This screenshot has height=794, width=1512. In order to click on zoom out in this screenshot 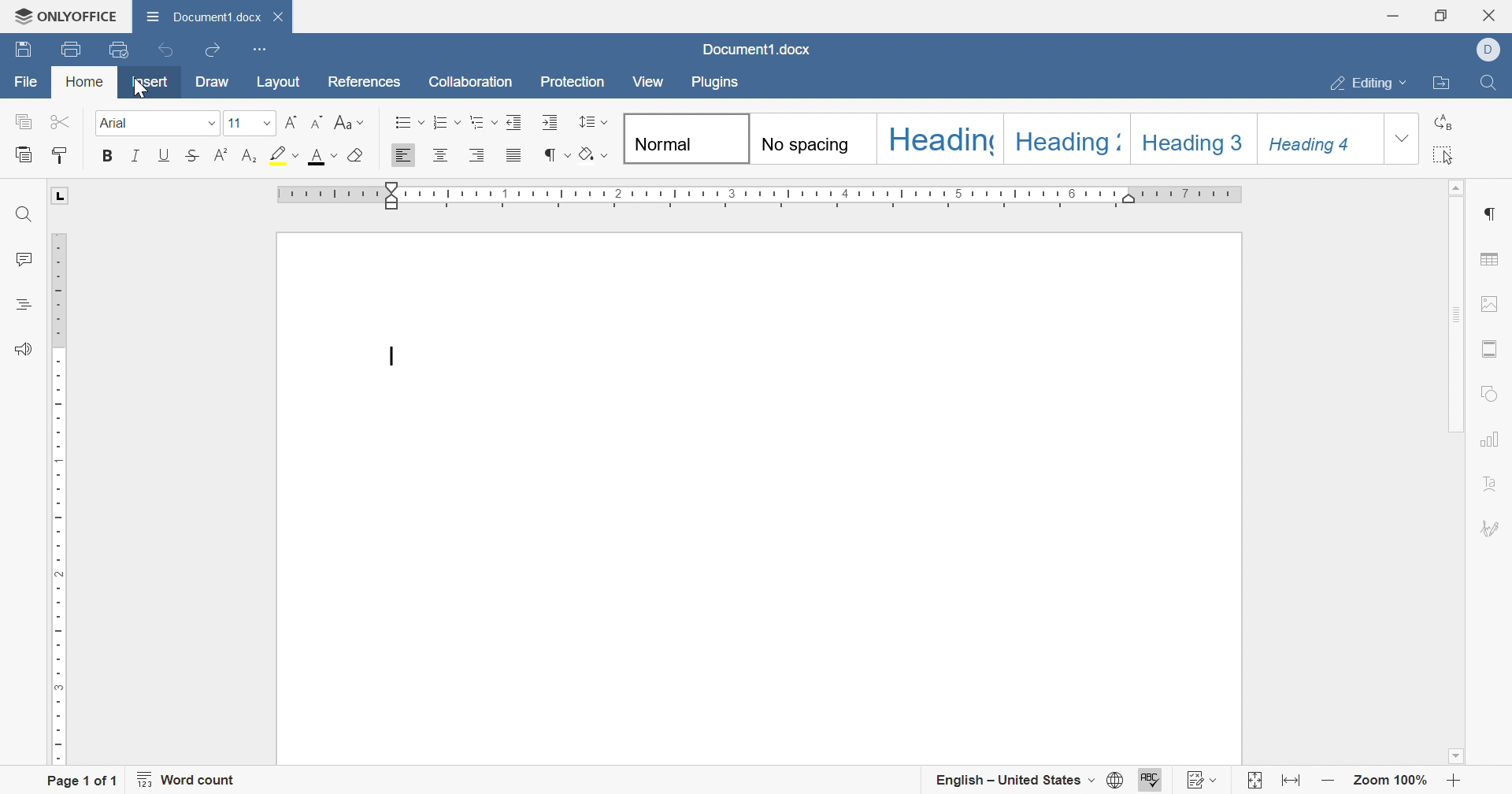, I will do `click(1325, 780)`.